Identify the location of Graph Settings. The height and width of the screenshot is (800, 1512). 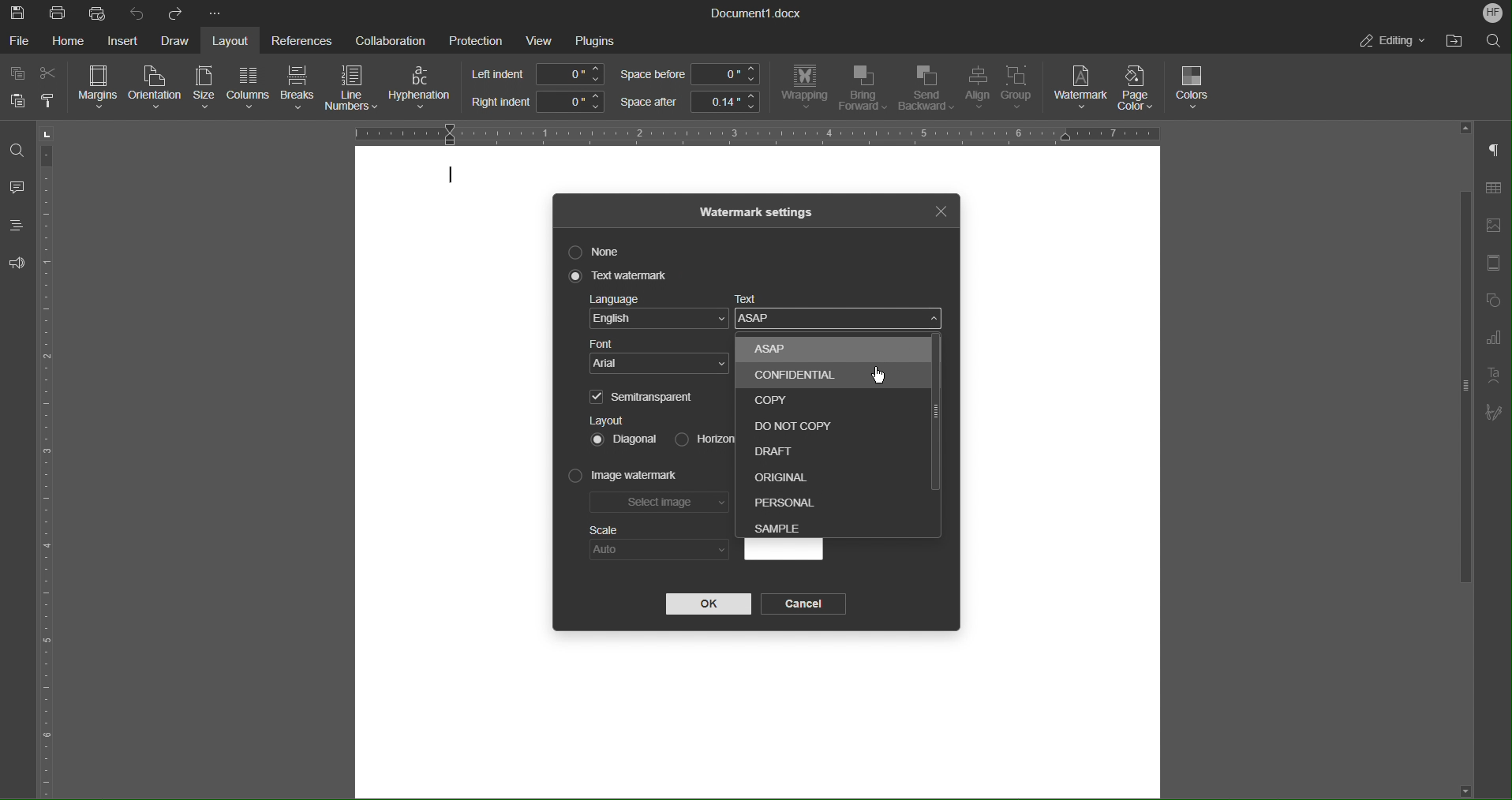
(1493, 341).